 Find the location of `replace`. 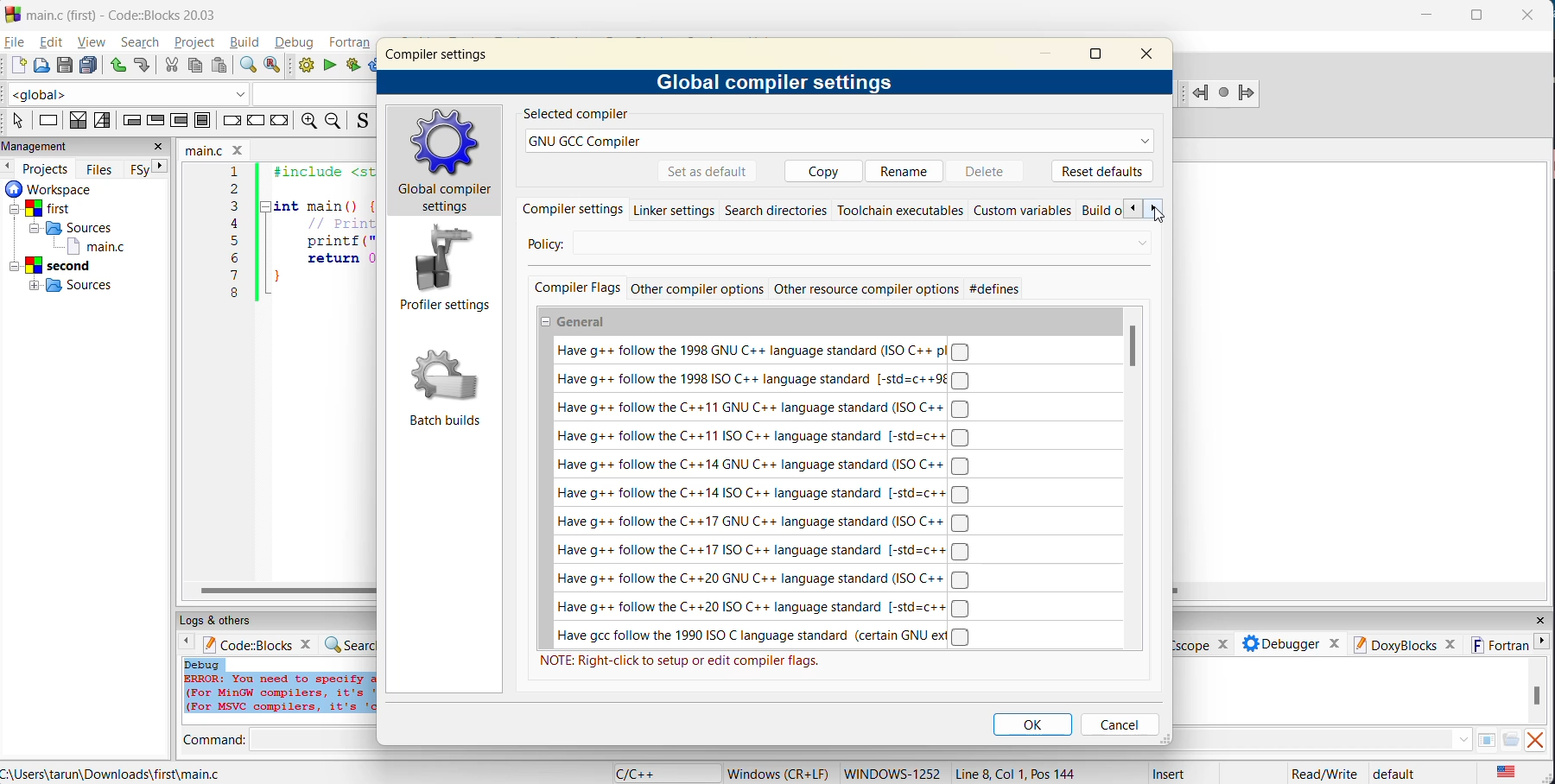

replace is located at coordinates (274, 67).